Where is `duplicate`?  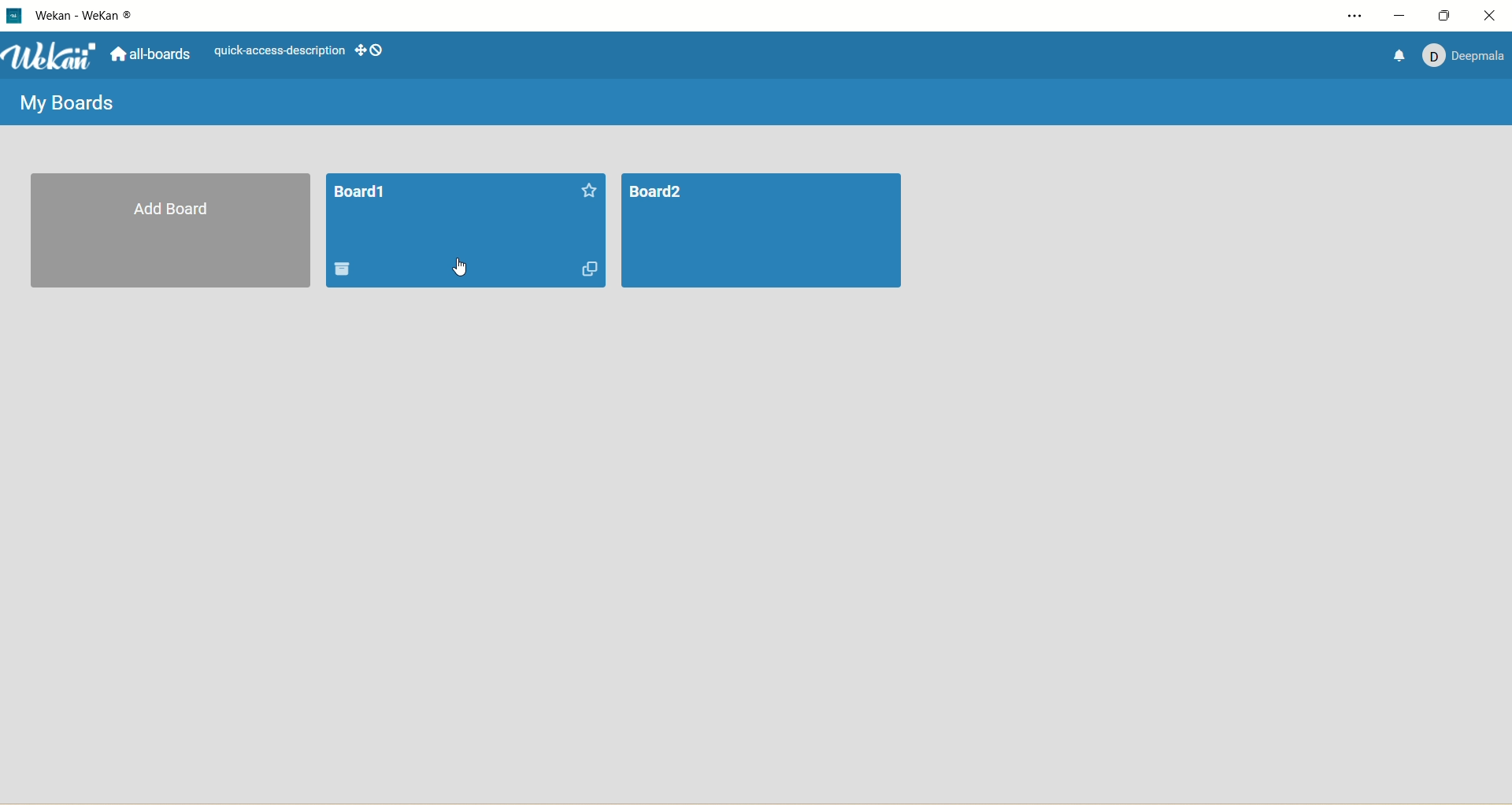 duplicate is located at coordinates (592, 272).